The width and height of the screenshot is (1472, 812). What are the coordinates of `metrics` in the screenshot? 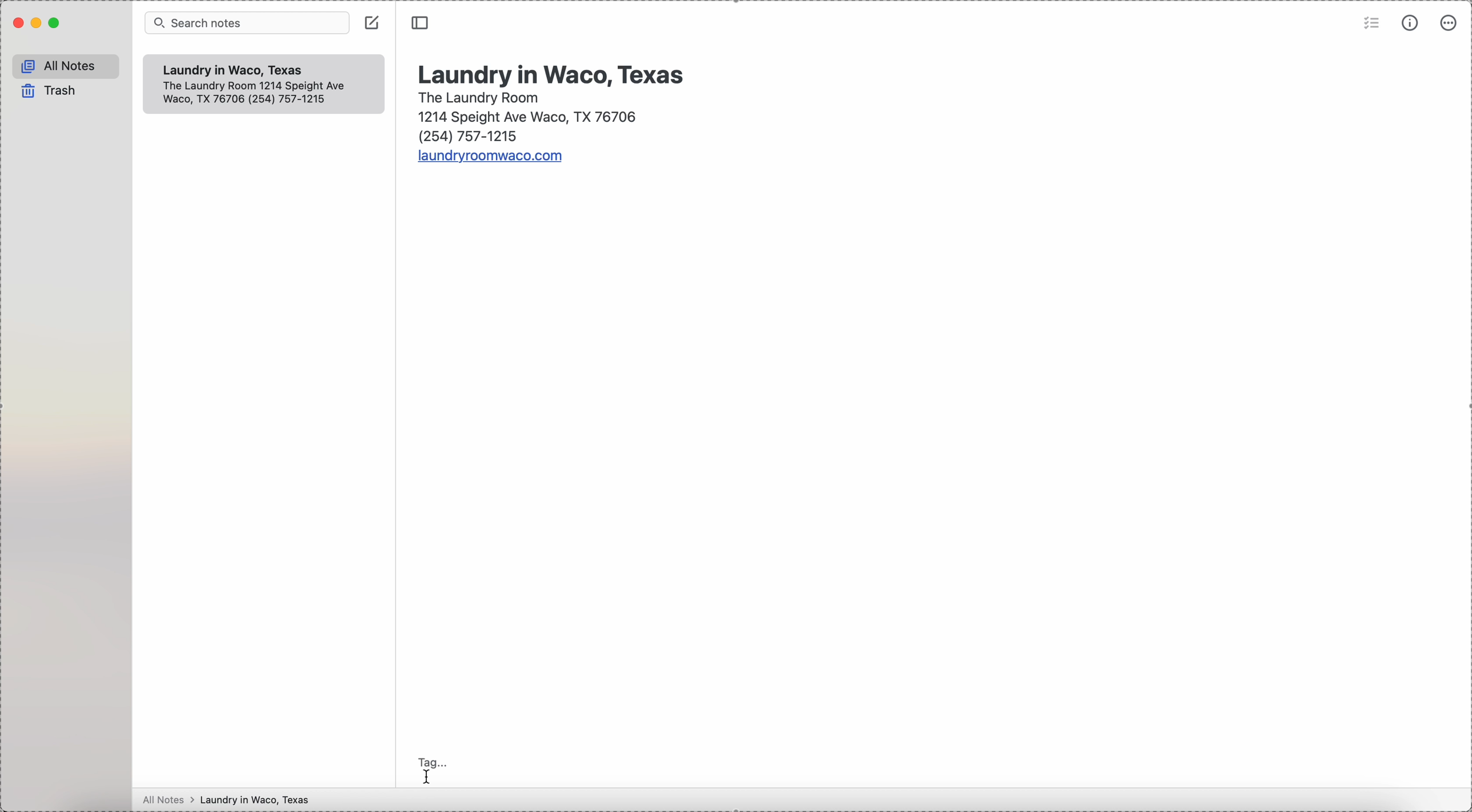 It's located at (1411, 23).